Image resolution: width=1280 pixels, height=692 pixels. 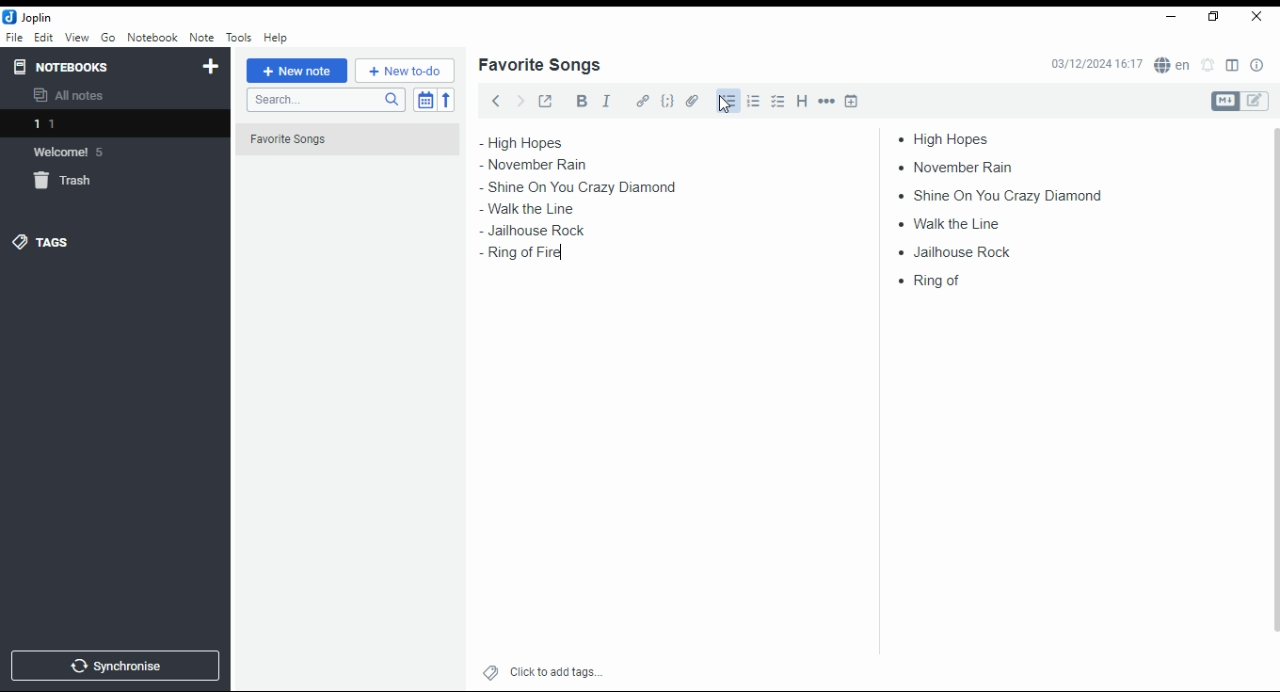 What do you see at coordinates (1258, 17) in the screenshot?
I see `close window` at bounding box center [1258, 17].